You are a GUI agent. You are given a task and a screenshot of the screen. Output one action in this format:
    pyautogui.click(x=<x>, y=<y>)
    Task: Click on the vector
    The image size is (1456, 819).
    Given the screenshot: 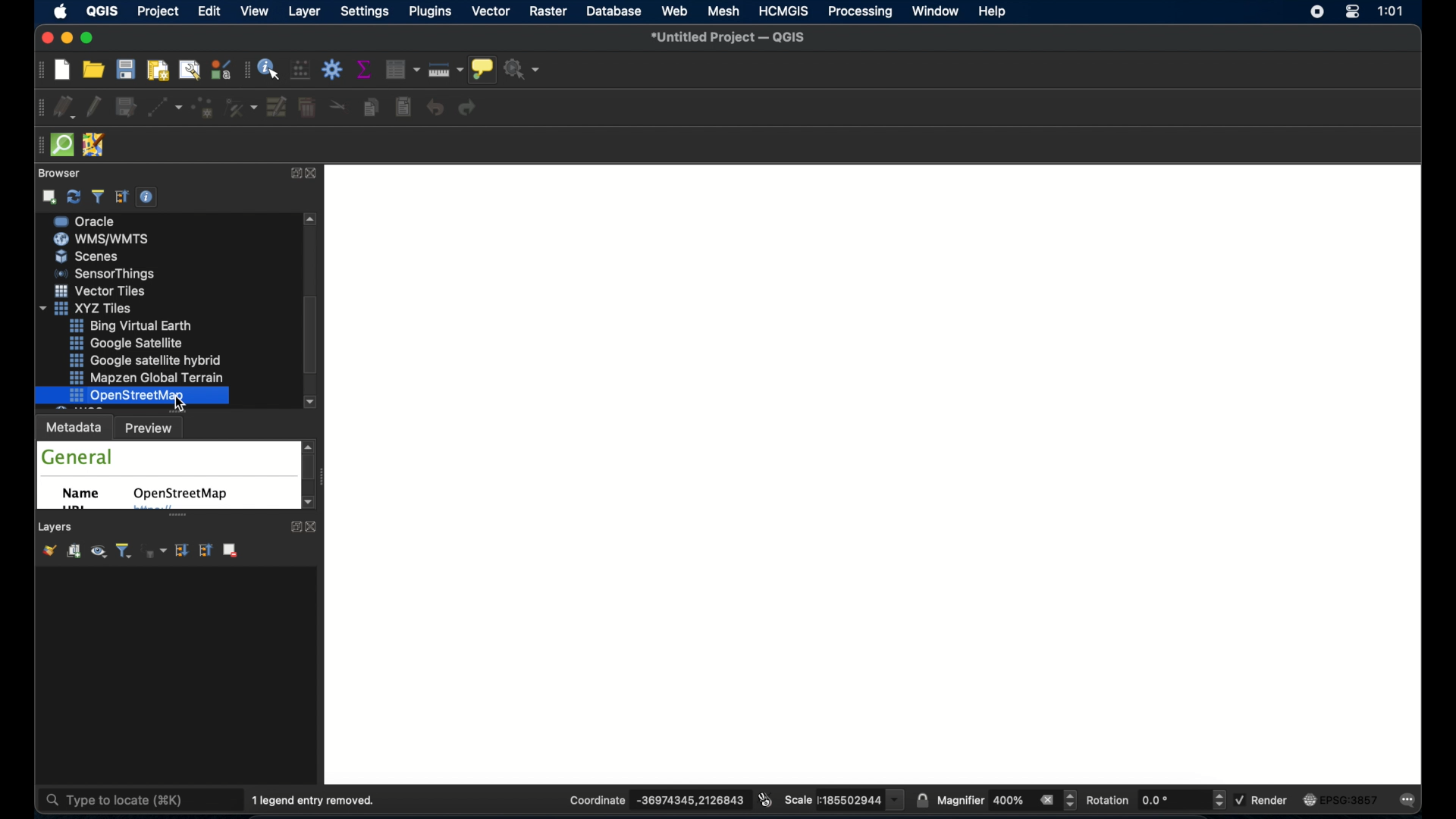 What is the action you would take?
    pyautogui.click(x=492, y=11)
    